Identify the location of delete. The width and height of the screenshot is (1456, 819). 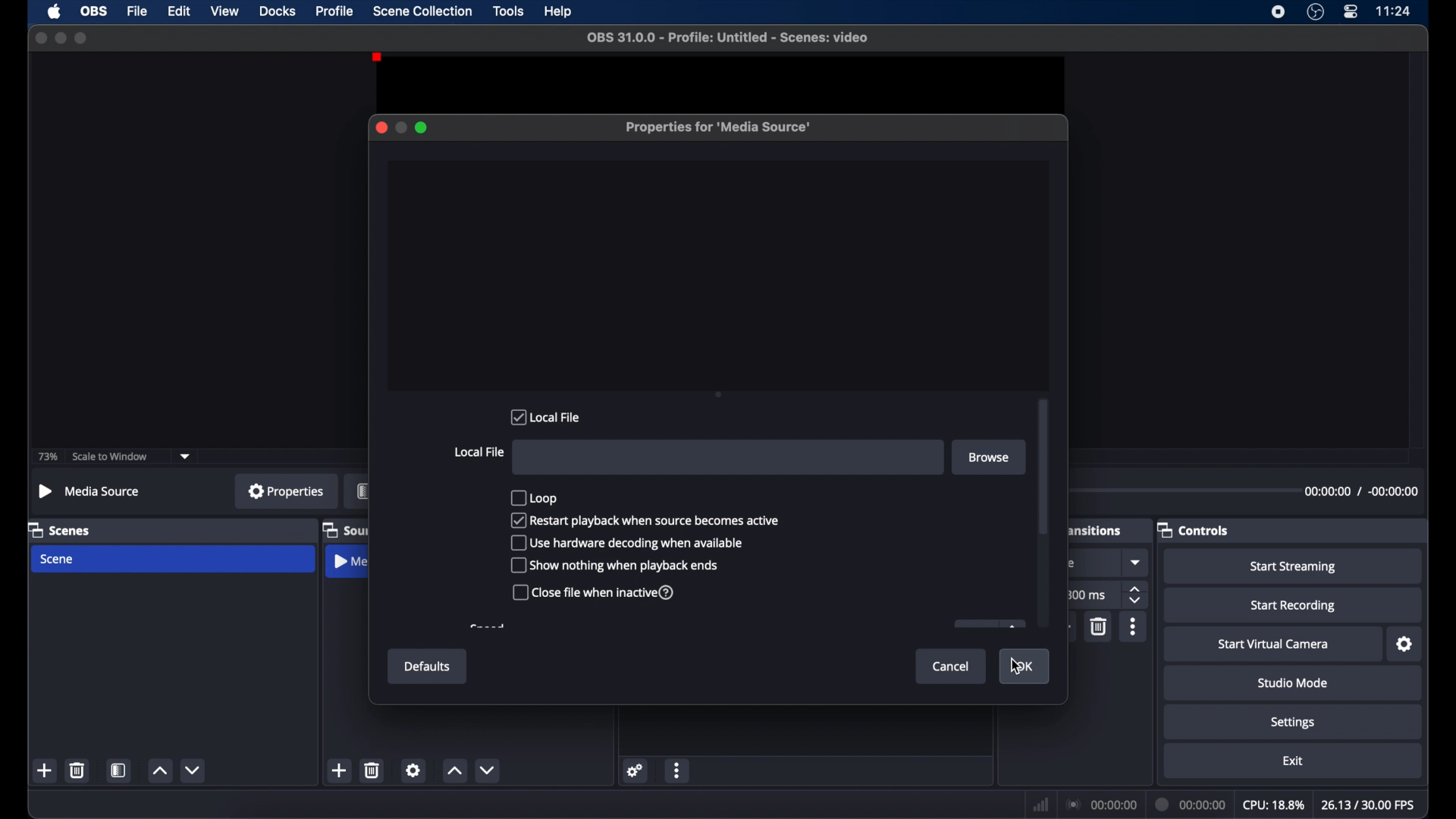
(77, 770).